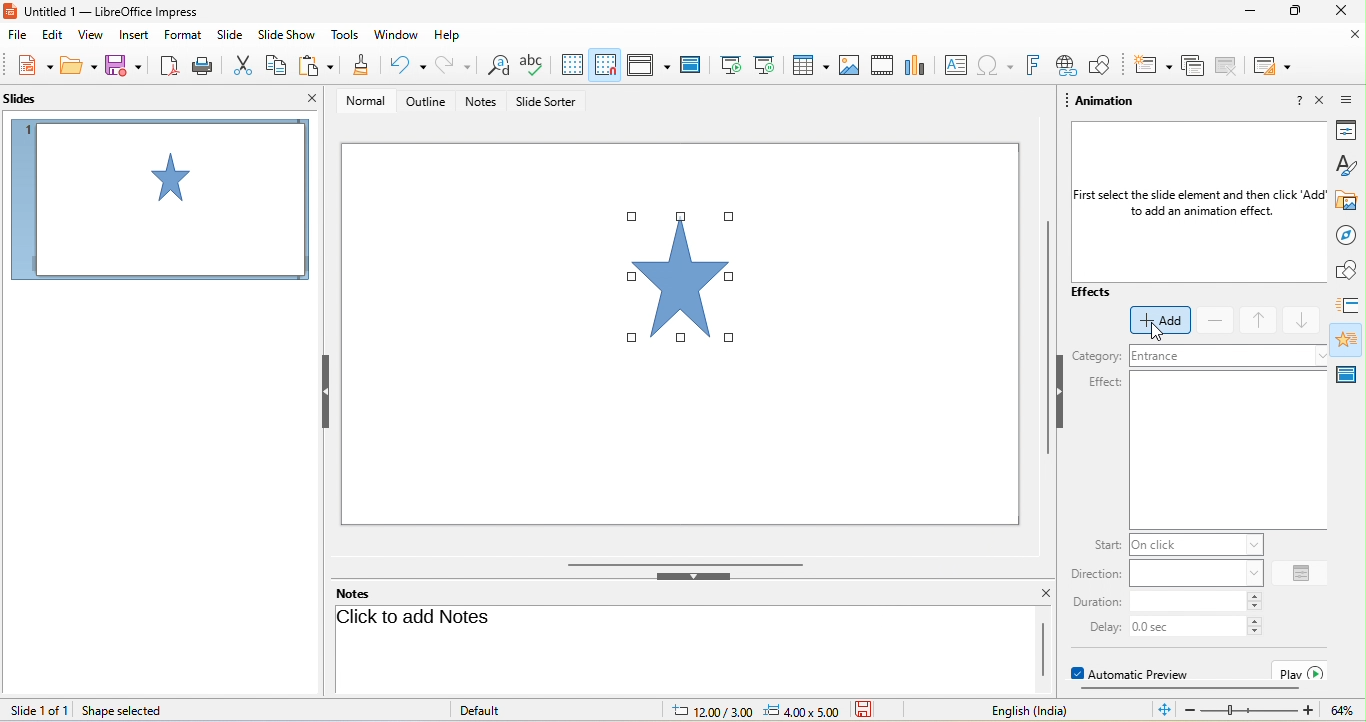 The height and width of the screenshot is (722, 1366). I want to click on outline, so click(429, 105).